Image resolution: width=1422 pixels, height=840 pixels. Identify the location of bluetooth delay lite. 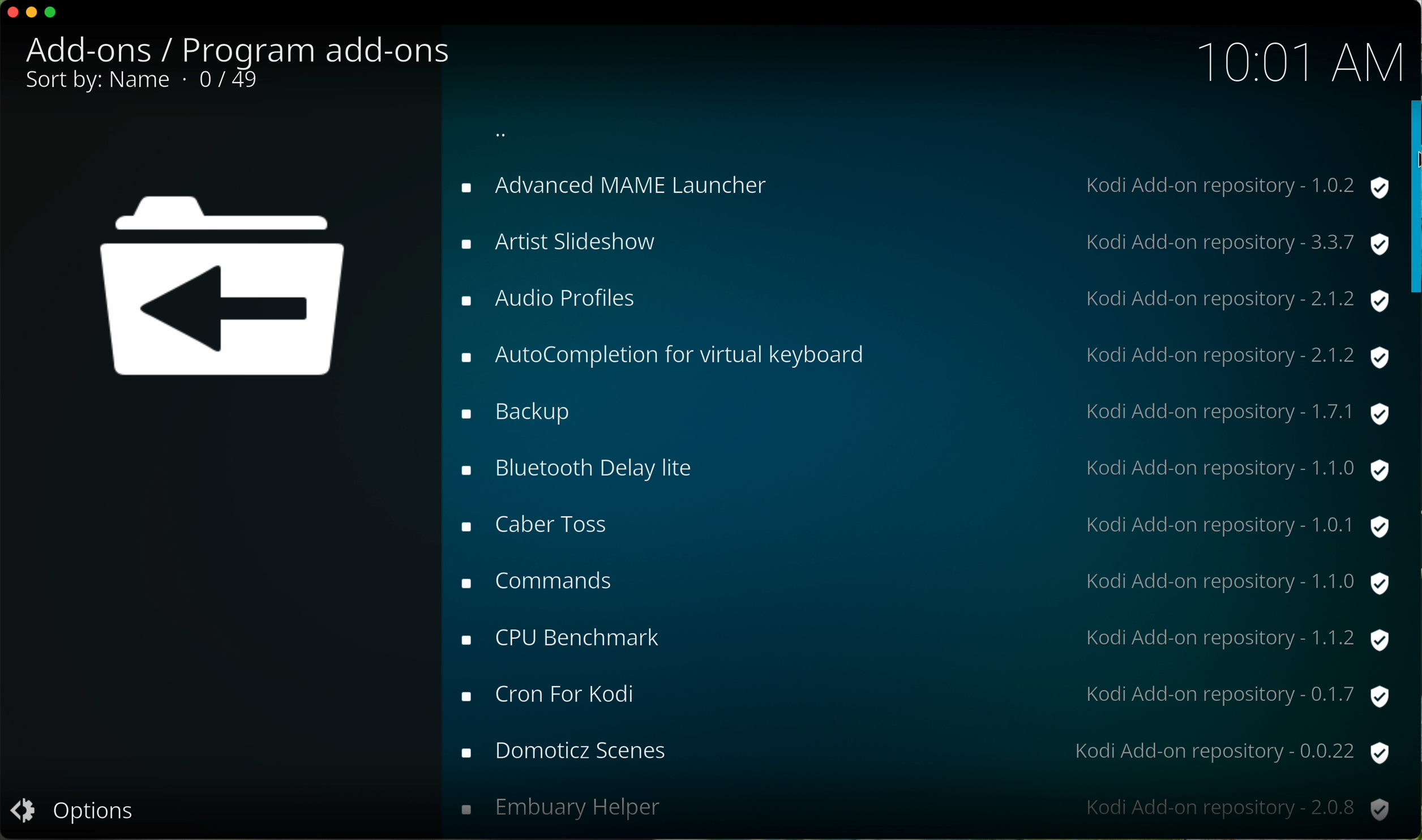
(922, 468).